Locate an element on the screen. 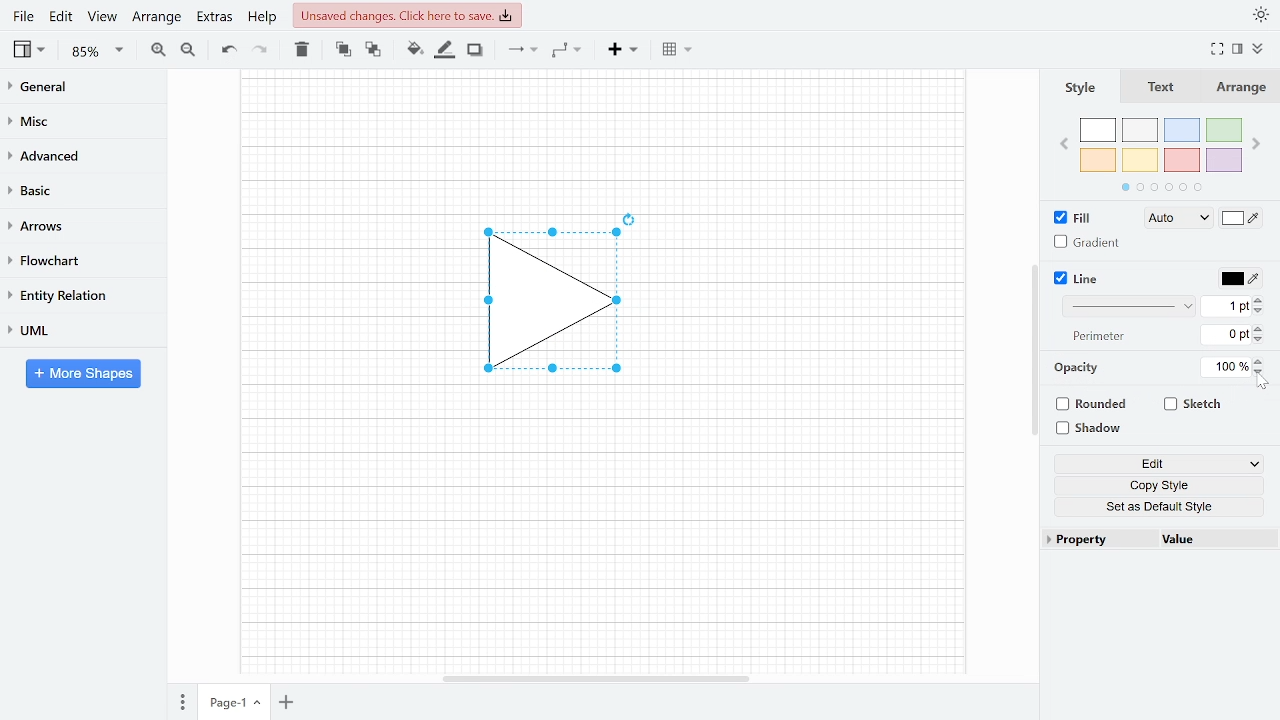 Image resolution: width=1280 pixels, height=720 pixels. View is located at coordinates (102, 16).